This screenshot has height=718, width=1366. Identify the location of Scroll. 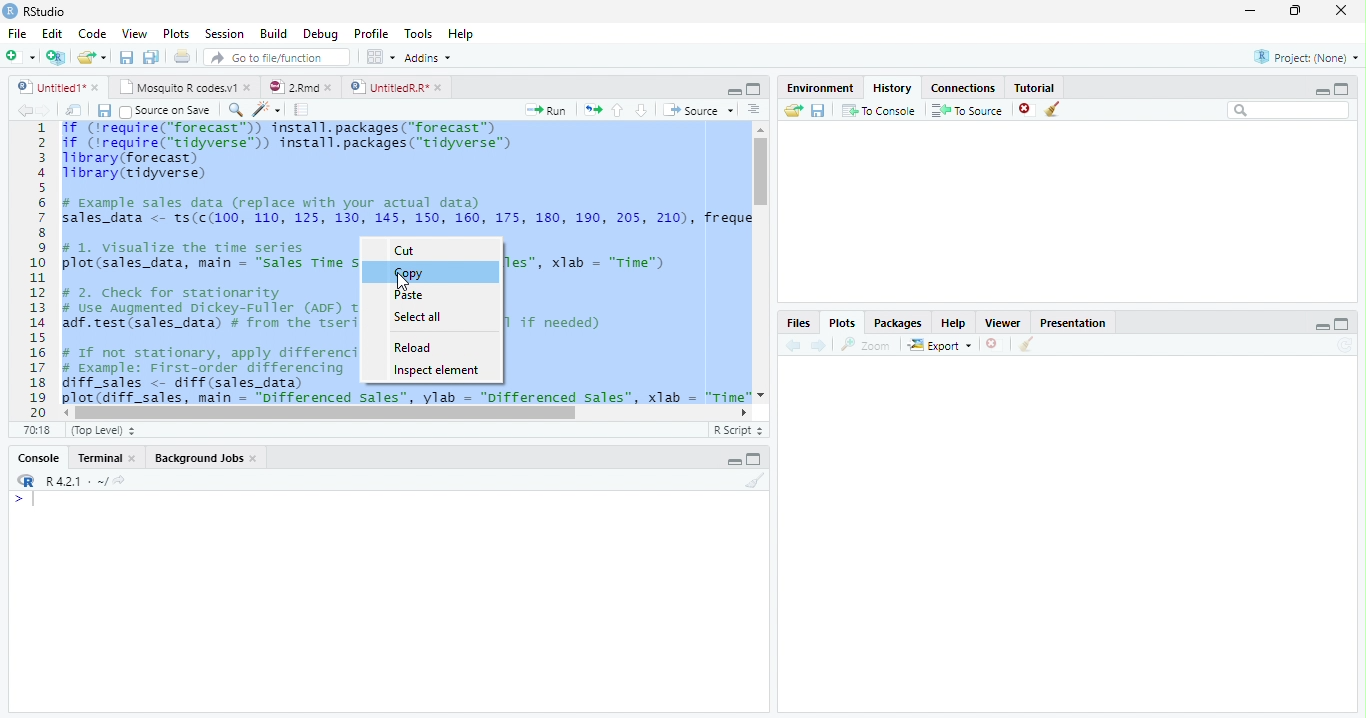
(761, 262).